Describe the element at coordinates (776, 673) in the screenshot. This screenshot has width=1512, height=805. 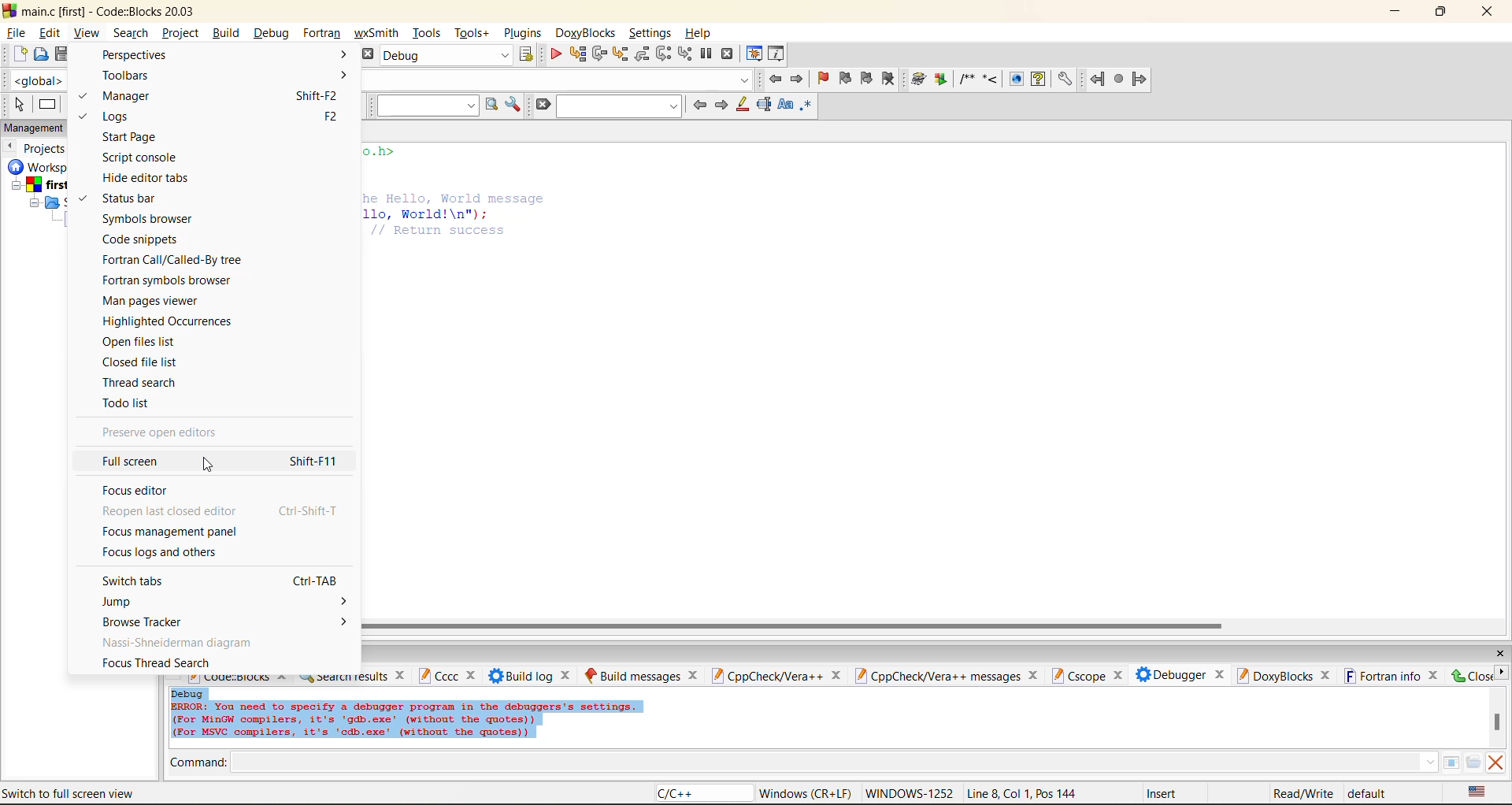
I see `cppcheck/vera++` at that location.